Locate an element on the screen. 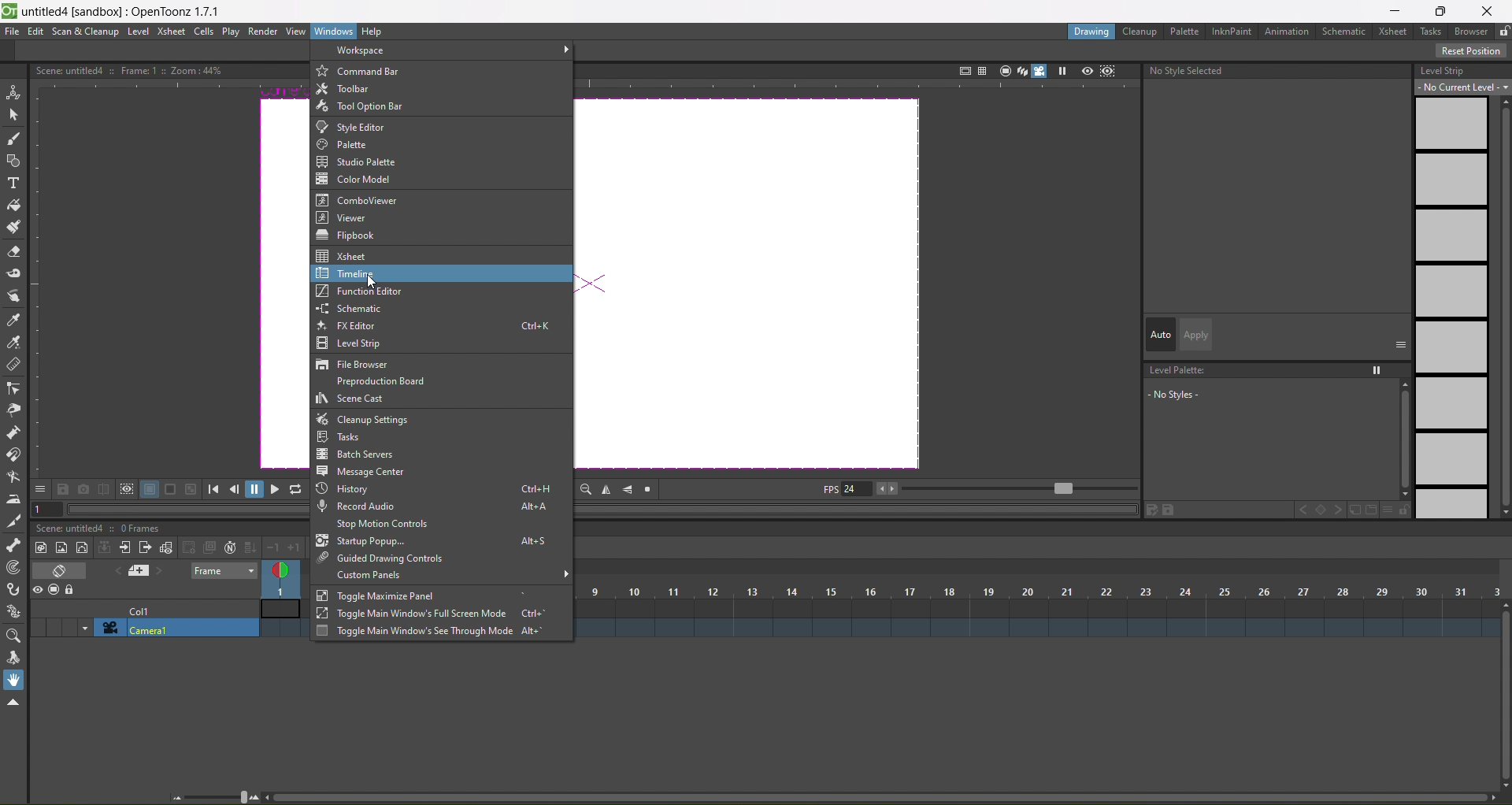 This screenshot has width=1512, height=805. scene: untitled4 is located at coordinates (74, 528).